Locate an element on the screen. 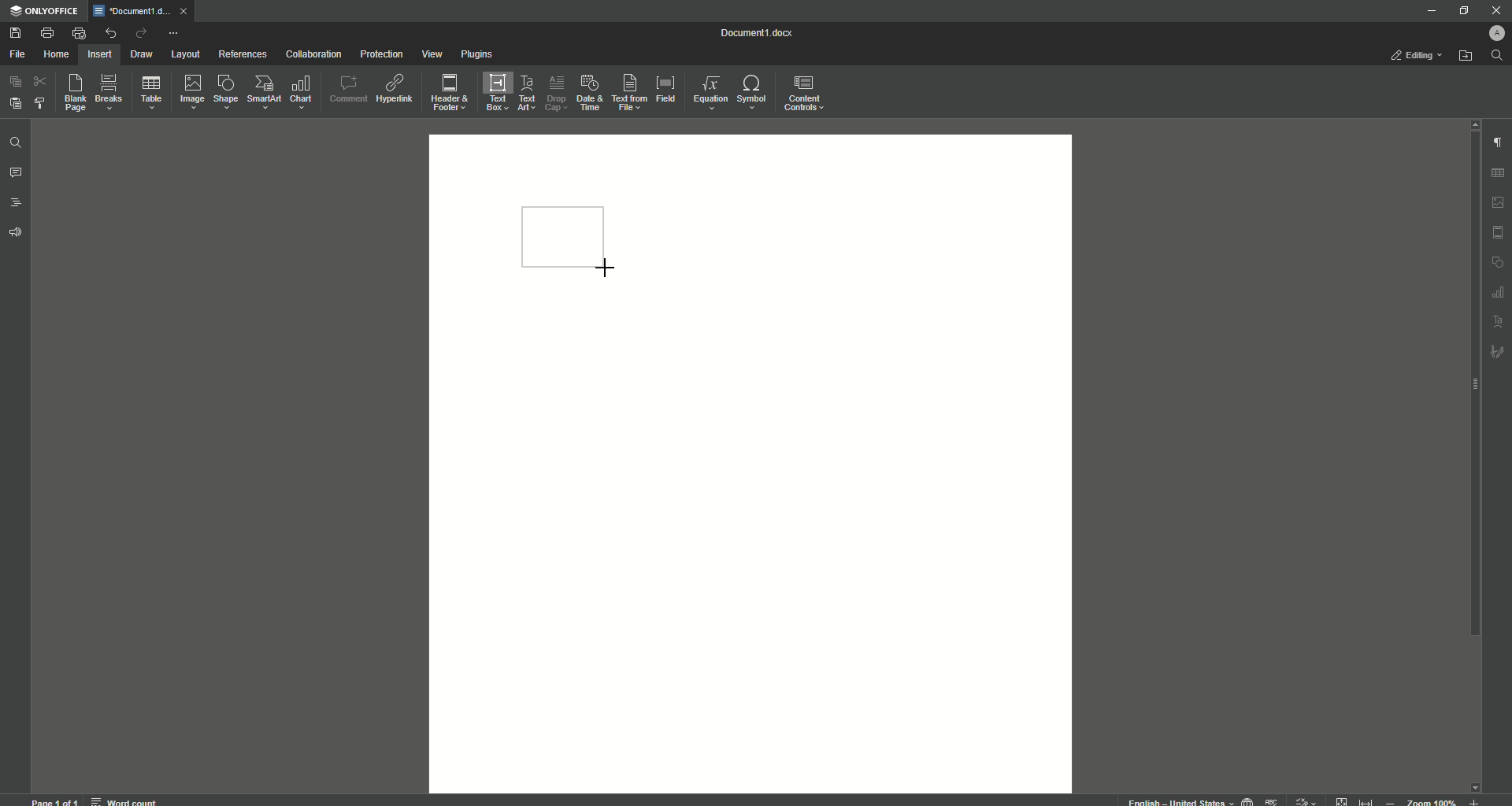 This screenshot has height=806, width=1512. Headings is located at coordinates (17, 203).